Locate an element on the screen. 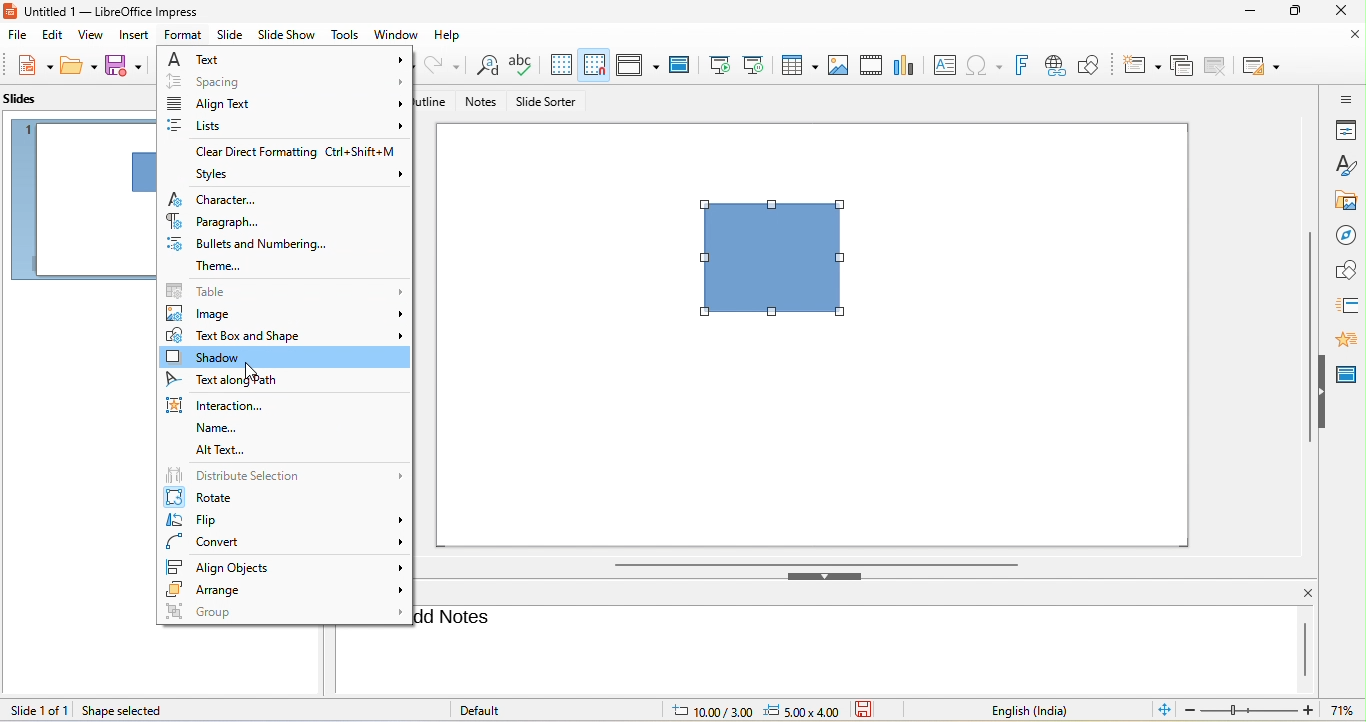 This screenshot has height=722, width=1366. name is located at coordinates (214, 428).